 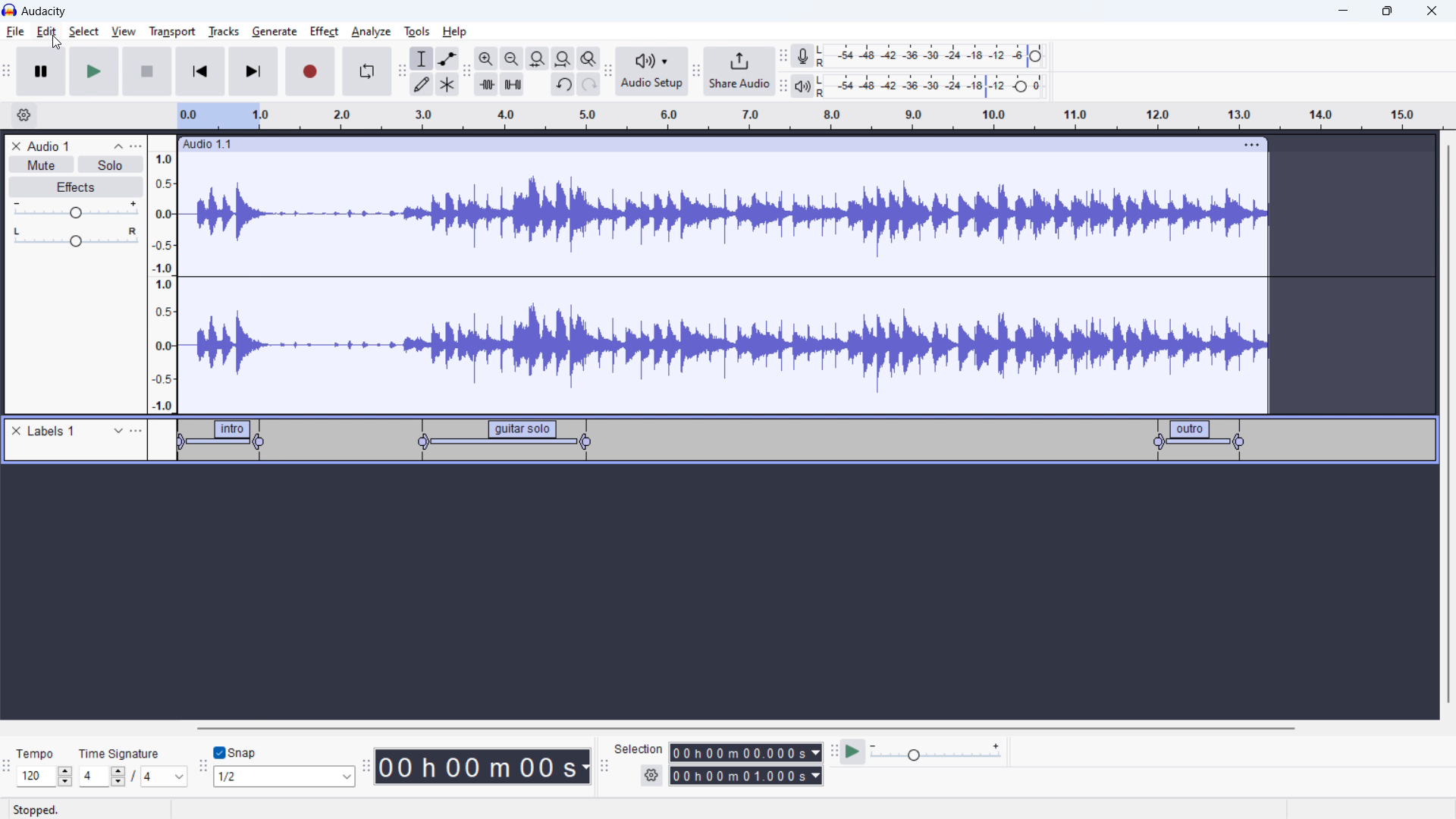 I want to click on selection toolbar, so click(x=602, y=767).